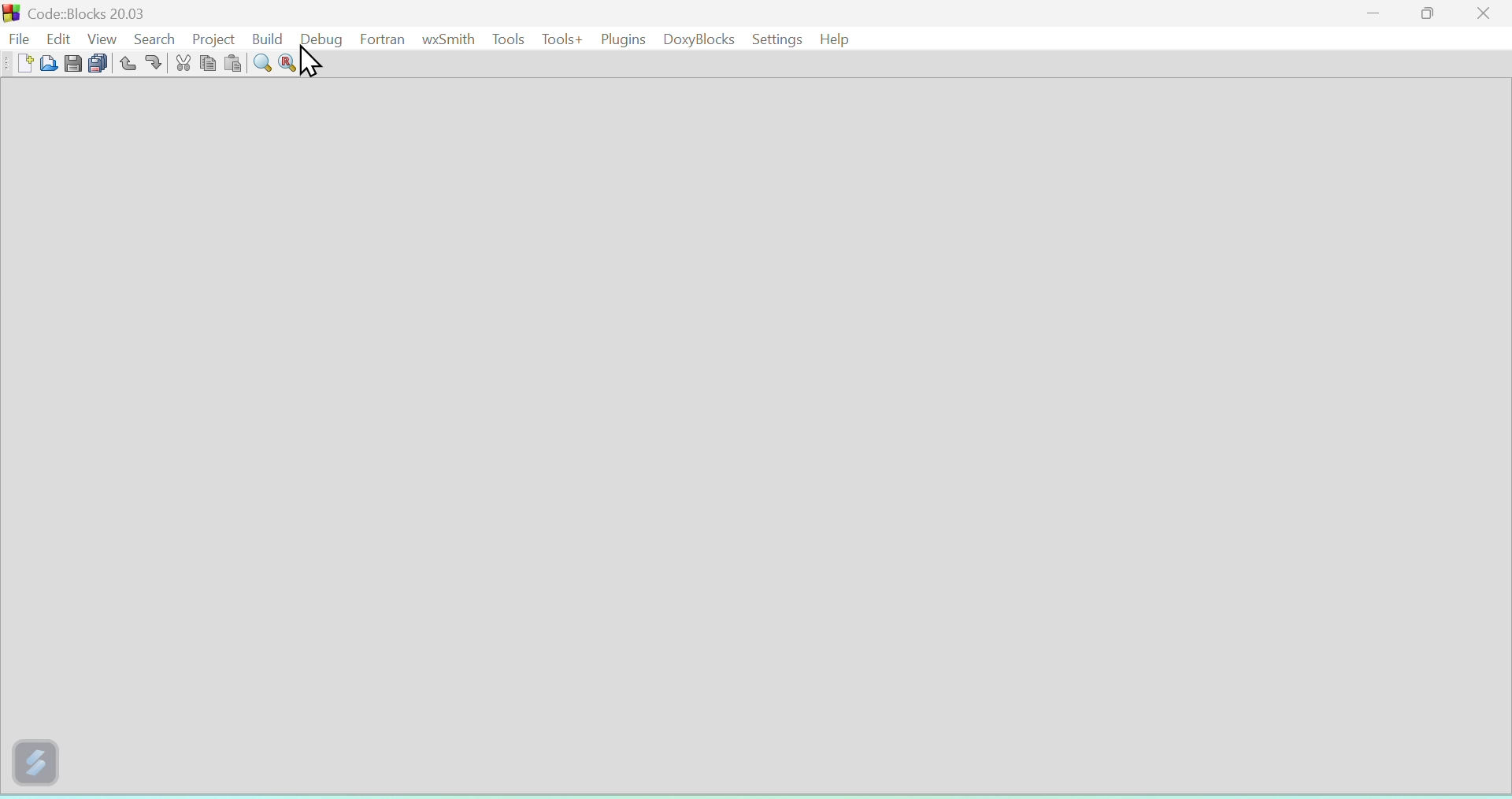 This screenshot has width=1512, height=799. Describe the element at coordinates (446, 39) in the screenshot. I see `wxSmith` at that location.